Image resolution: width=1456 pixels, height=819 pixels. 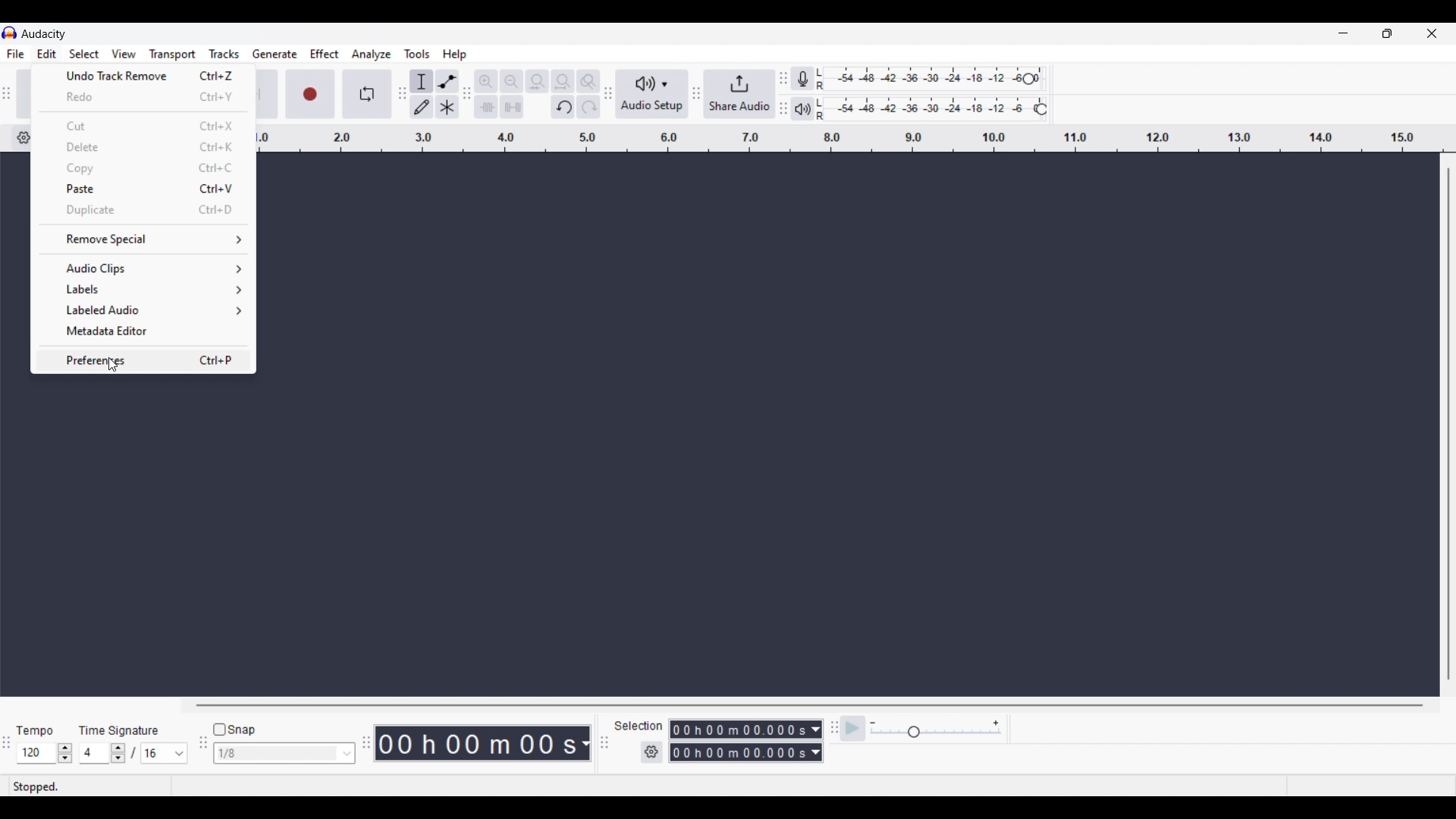 I want to click on Fit project to width, so click(x=563, y=81).